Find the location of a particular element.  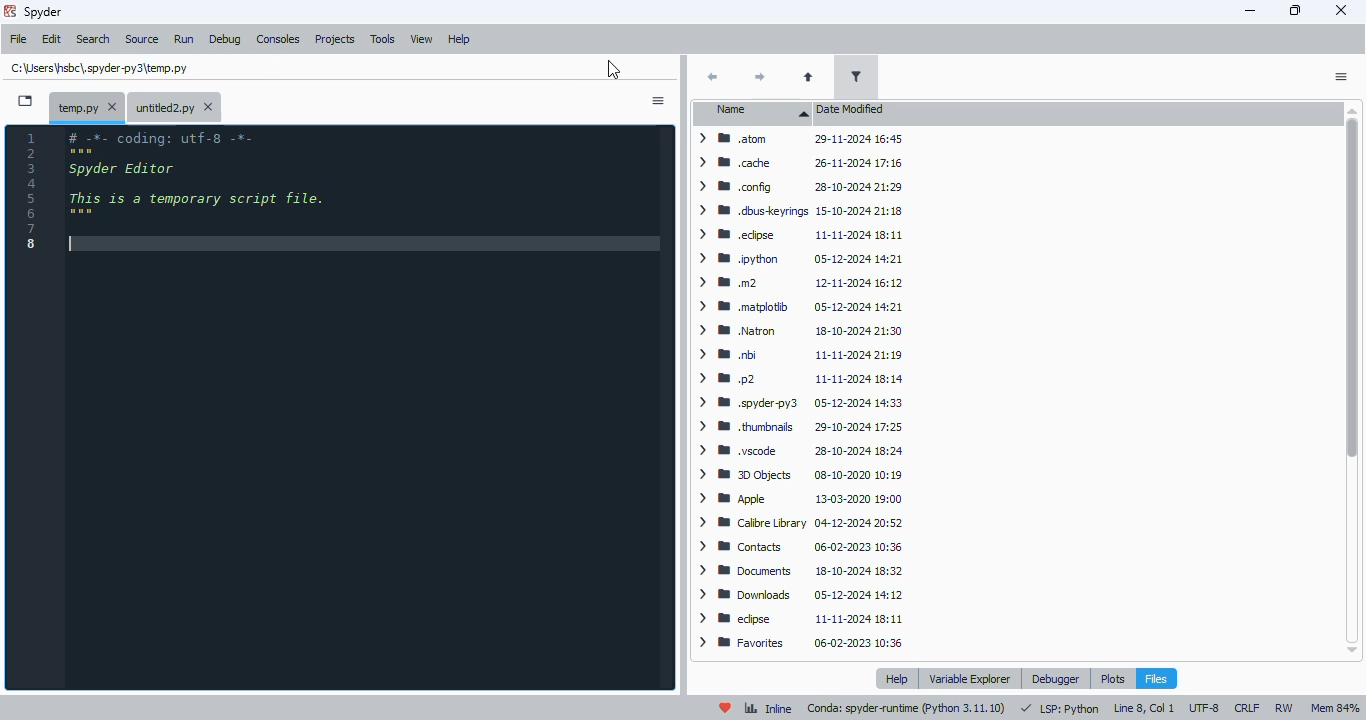

> B .spyderpy3 05-12-2024 14:33 is located at coordinates (797, 401).